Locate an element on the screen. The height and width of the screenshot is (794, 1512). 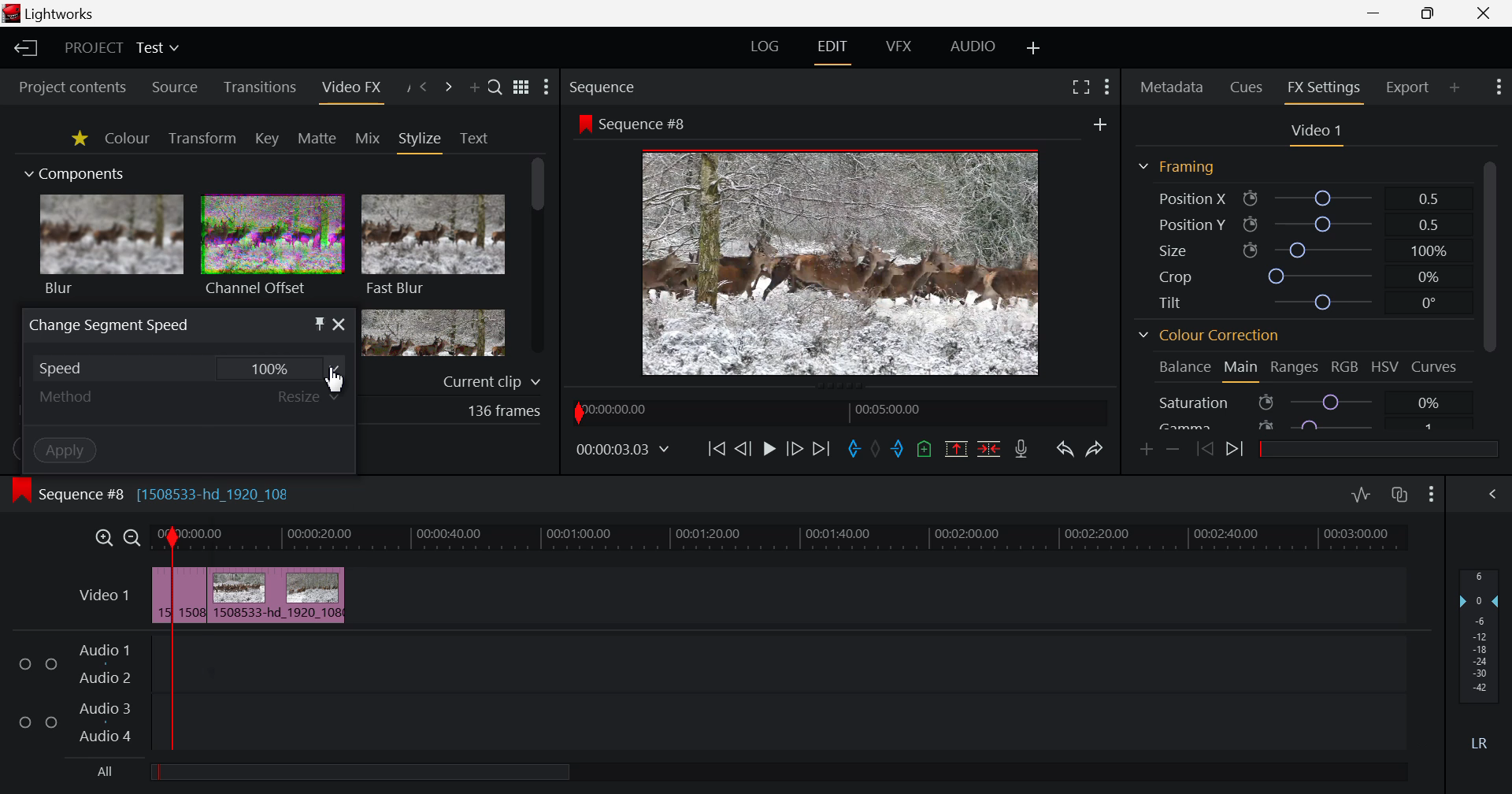
Sequence is located at coordinates (632, 86).